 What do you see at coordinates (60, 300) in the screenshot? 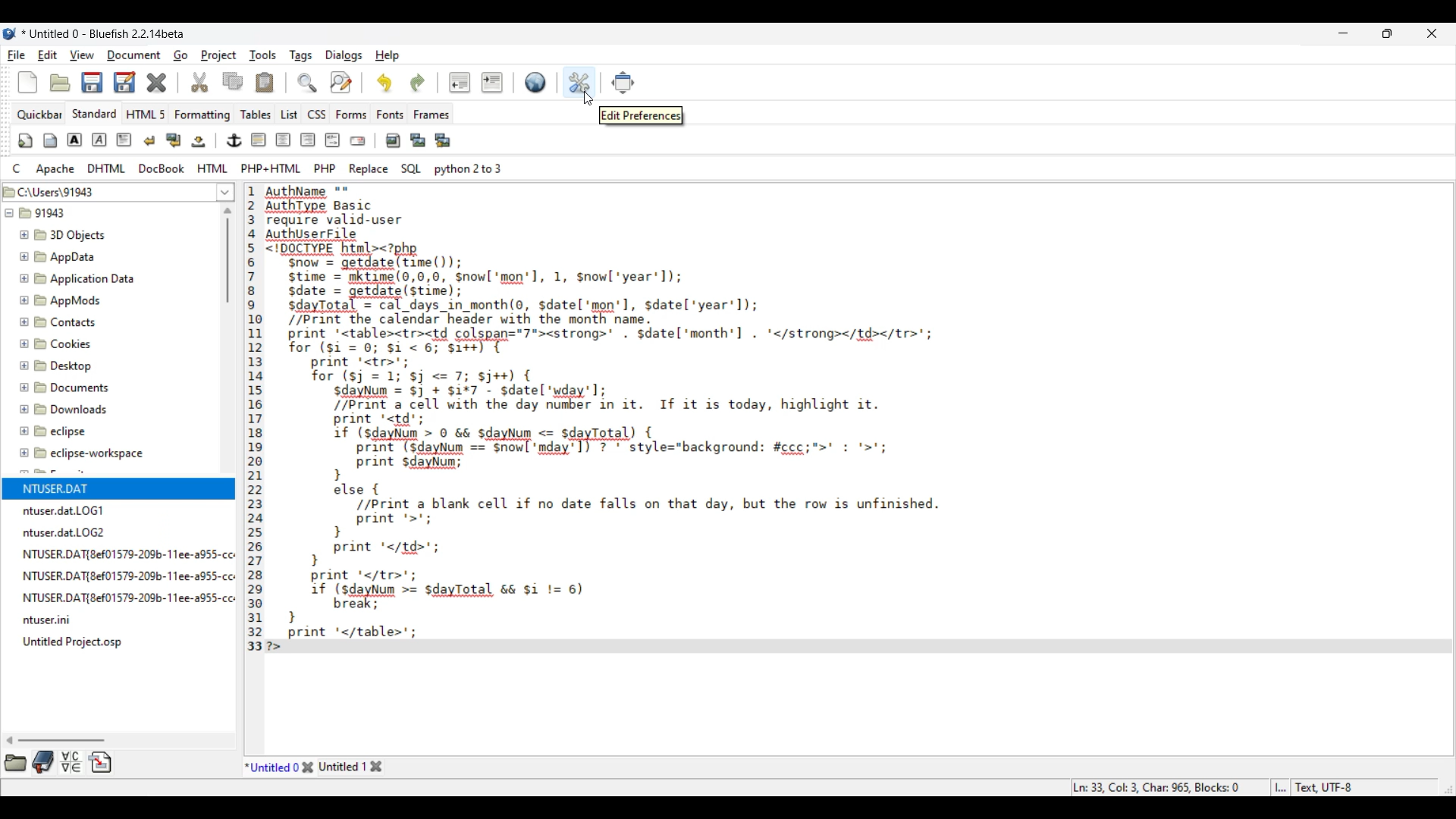
I see `AppMods` at bounding box center [60, 300].